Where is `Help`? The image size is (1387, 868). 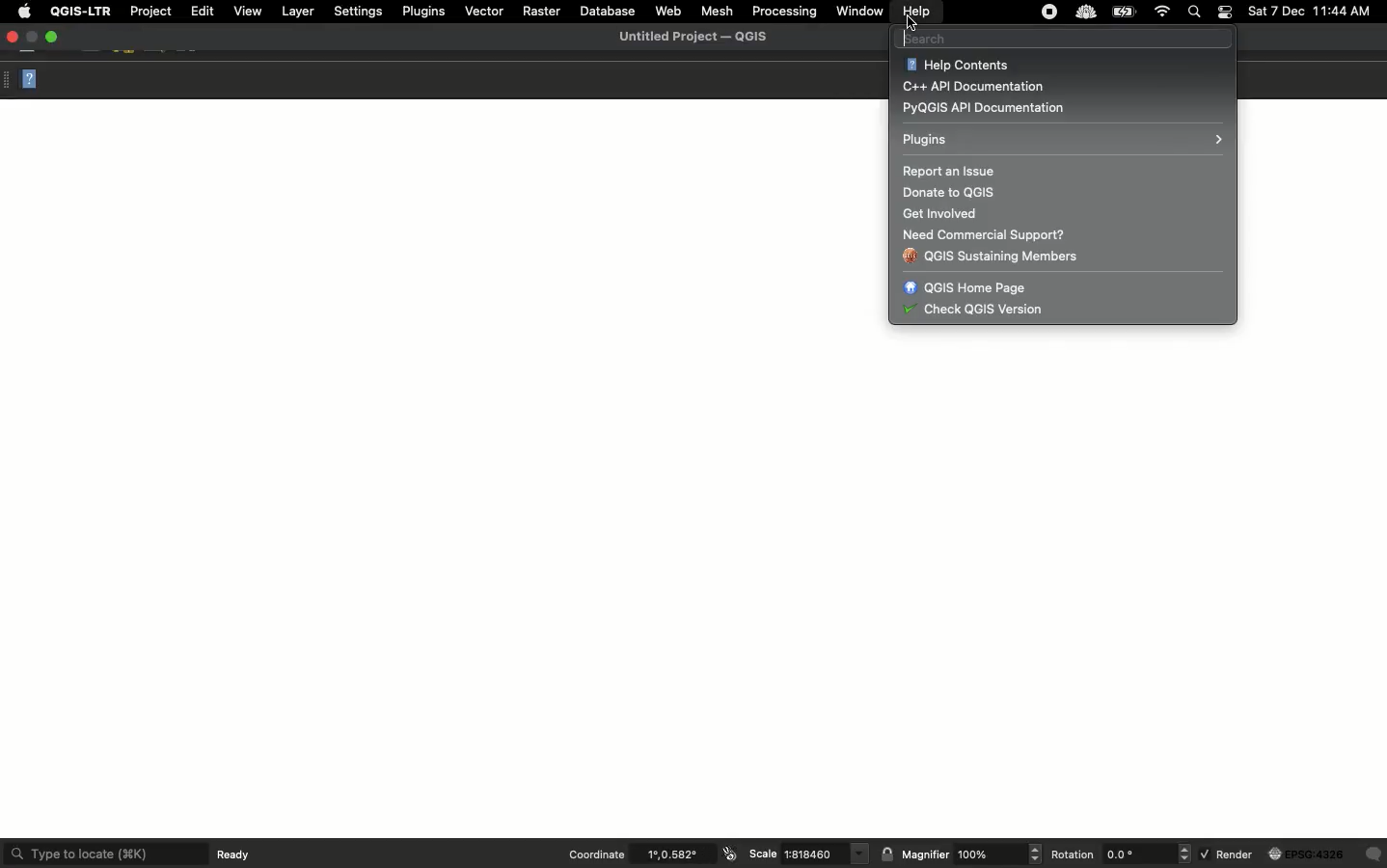
Help is located at coordinates (920, 12).